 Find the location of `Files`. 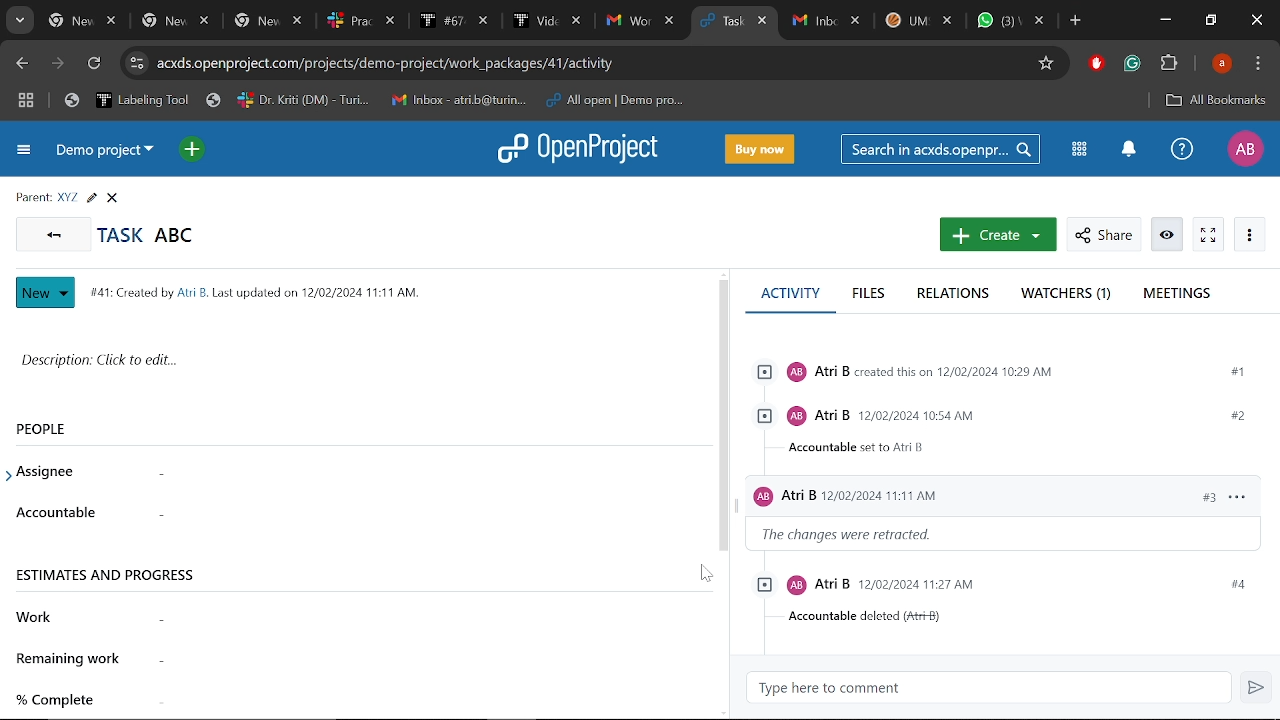

Files is located at coordinates (867, 294).